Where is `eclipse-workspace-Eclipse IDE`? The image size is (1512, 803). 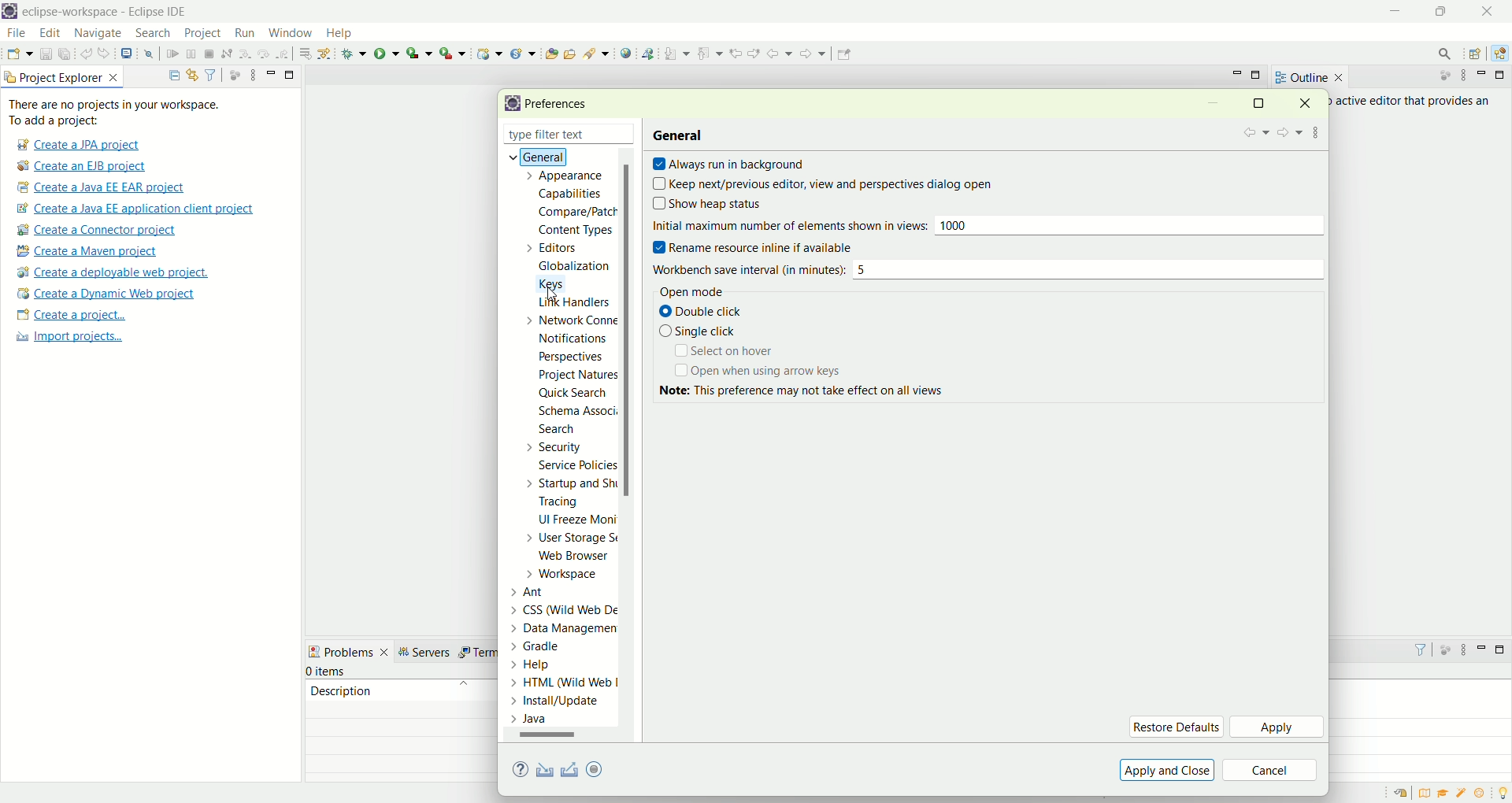
eclipse-workspace-Eclipse IDE is located at coordinates (103, 13).